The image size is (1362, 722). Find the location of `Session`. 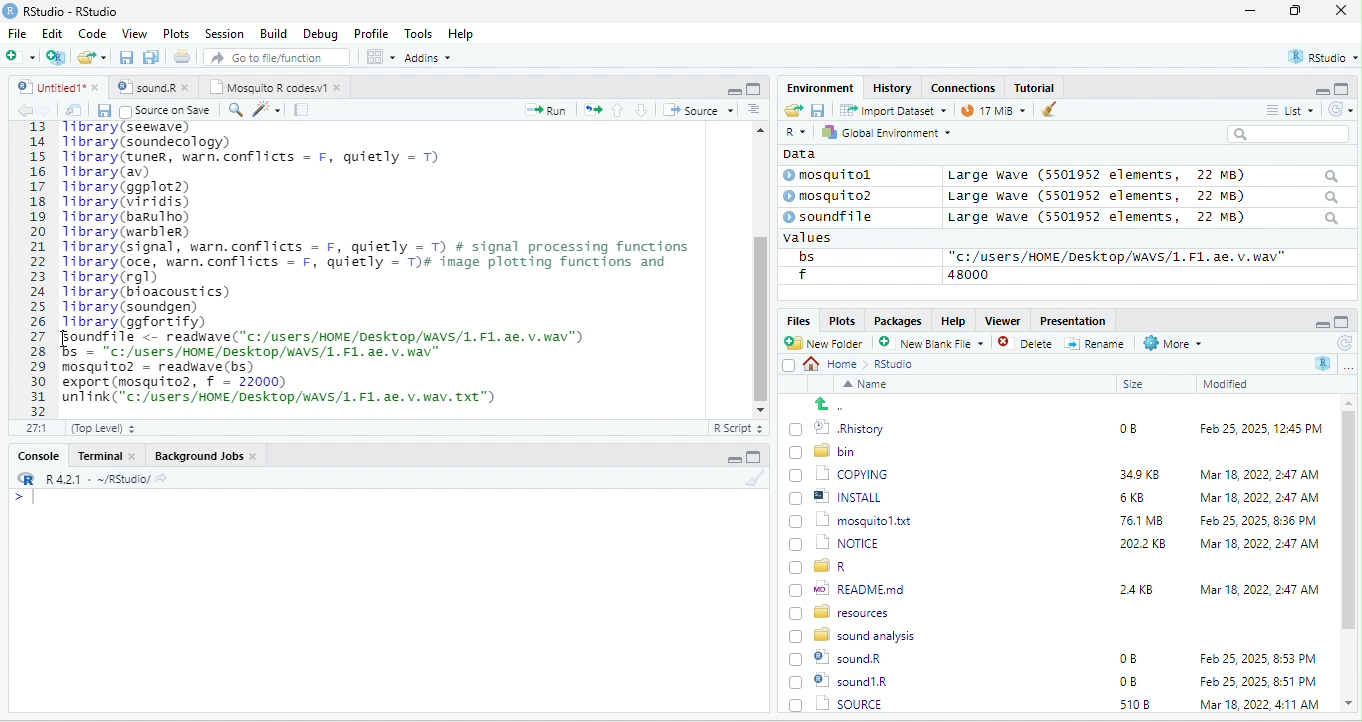

Session is located at coordinates (225, 32).